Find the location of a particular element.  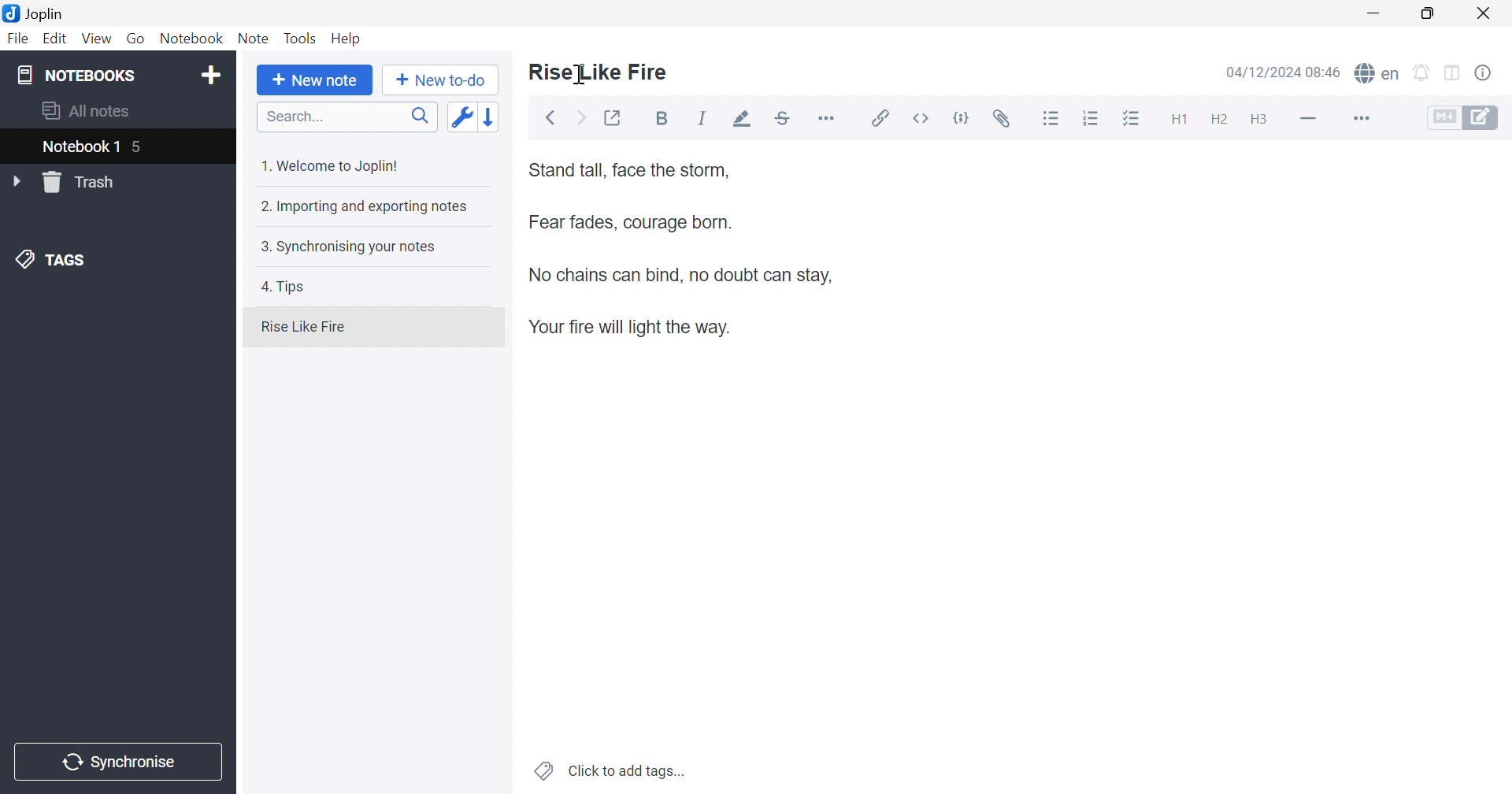

Notebook is located at coordinates (195, 38).